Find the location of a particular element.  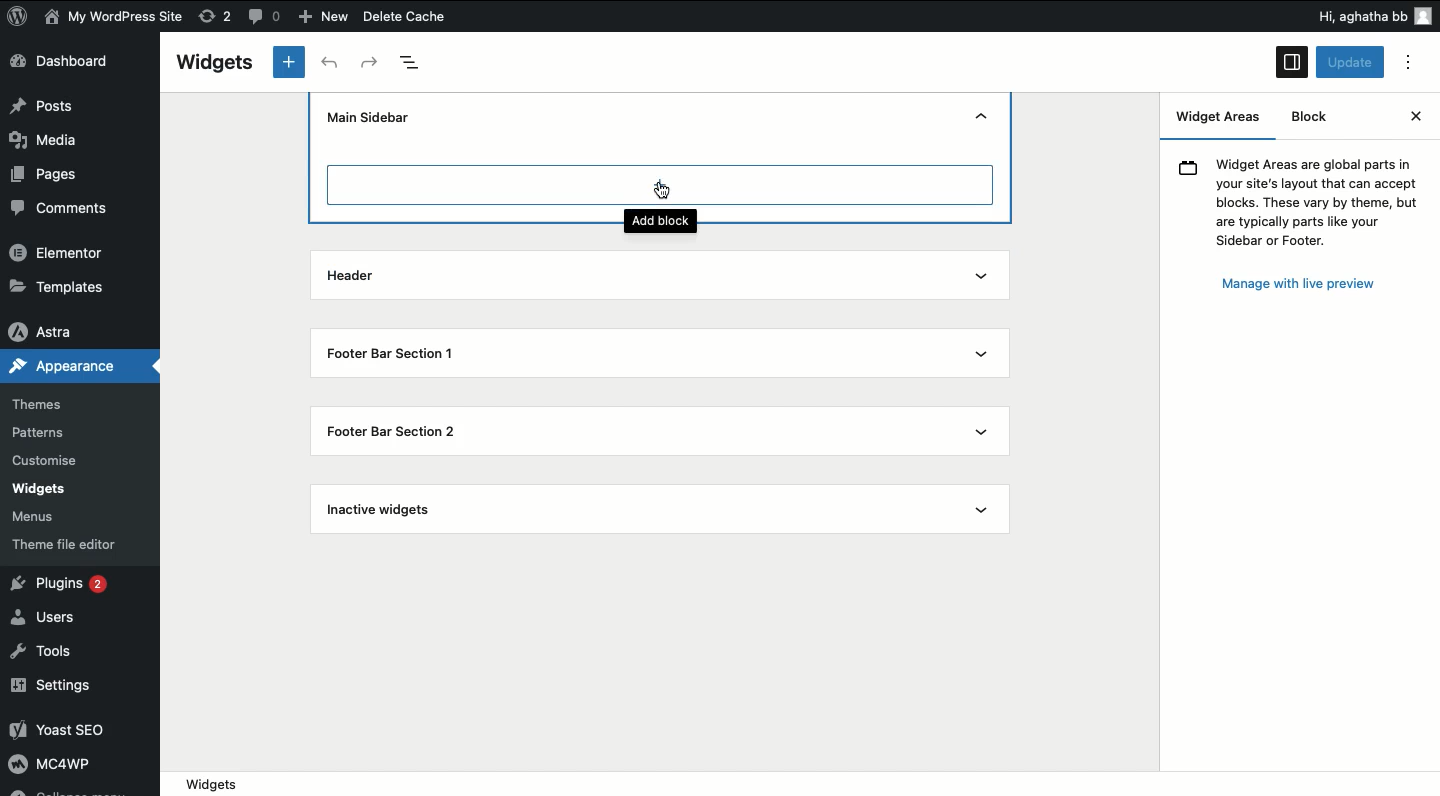

Options is located at coordinates (1408, 63).